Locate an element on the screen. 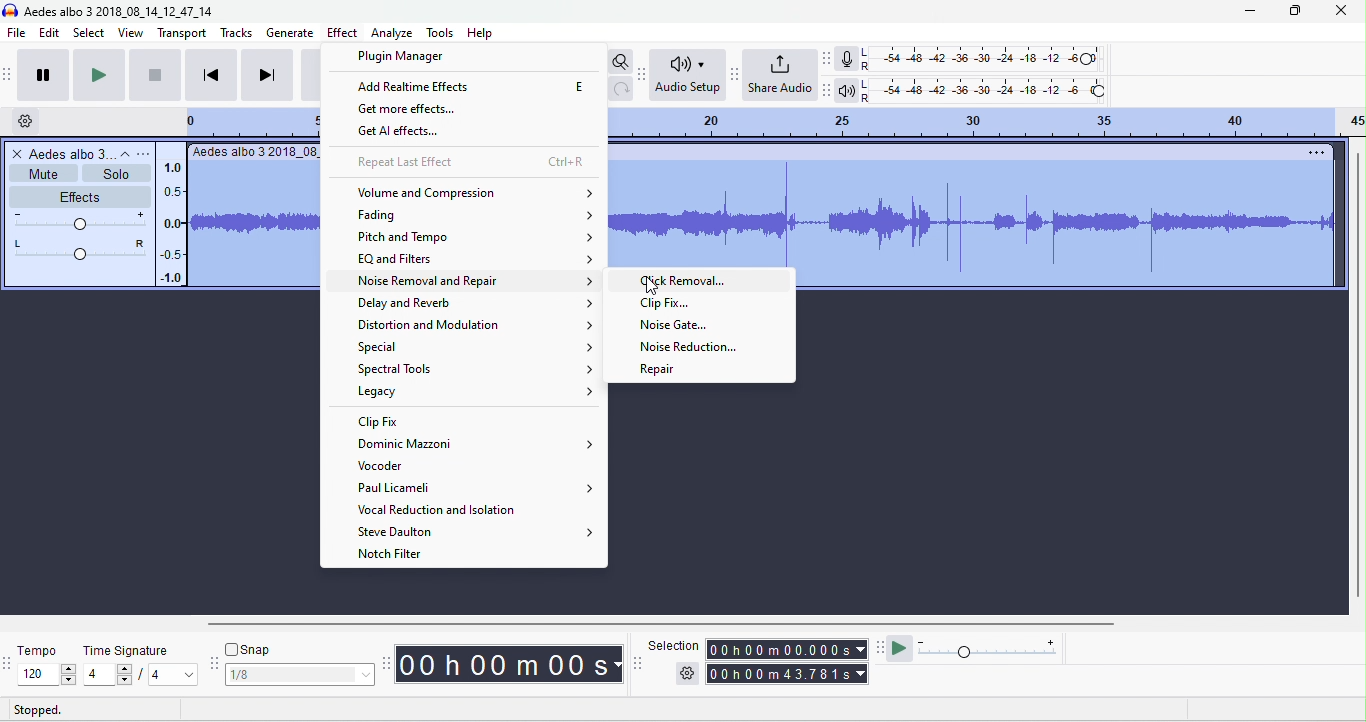 The image size is (1366, 722). amplitude is located at coordinates (175, 221).